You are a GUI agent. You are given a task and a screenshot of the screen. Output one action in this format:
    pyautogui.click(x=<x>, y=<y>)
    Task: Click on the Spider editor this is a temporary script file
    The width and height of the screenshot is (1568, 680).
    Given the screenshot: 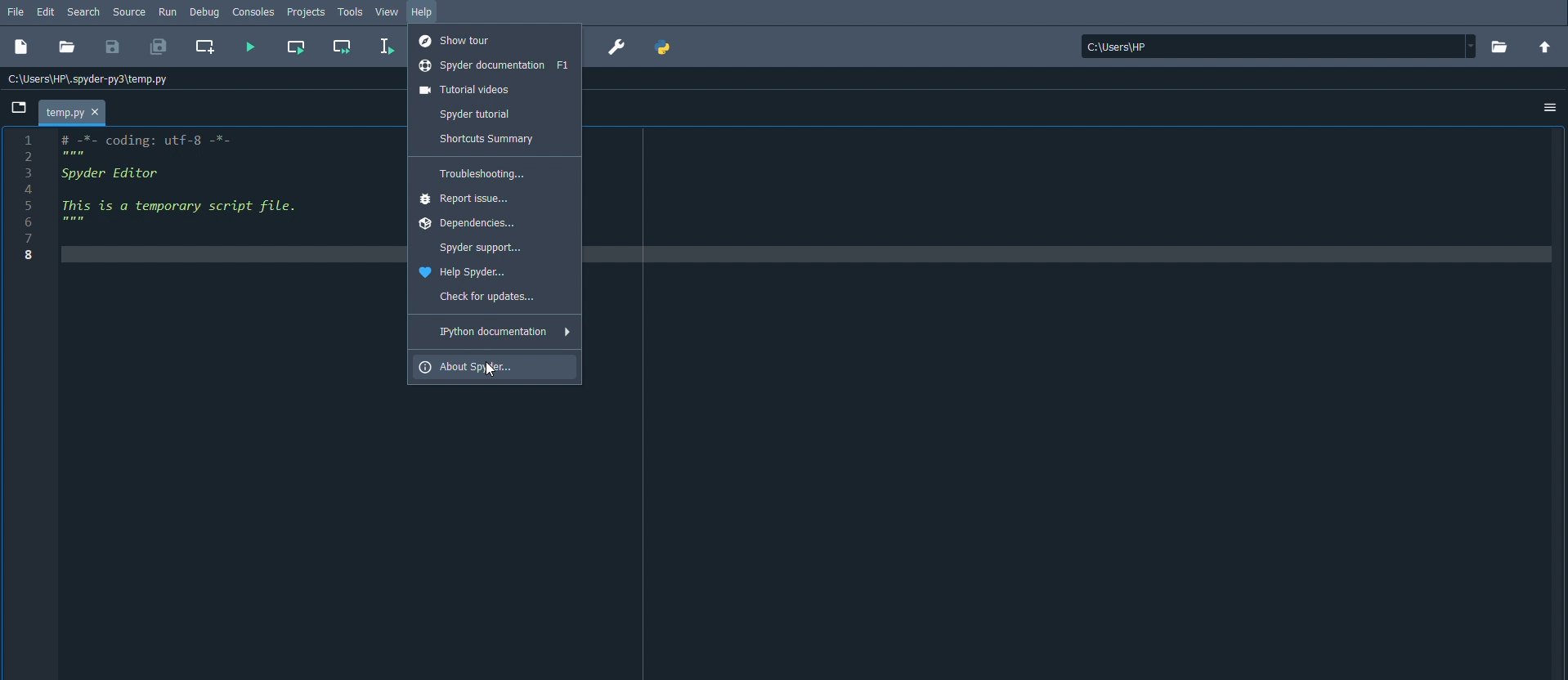 What is the action you would take?
    pyautogui.click(x=195, y=202)
    